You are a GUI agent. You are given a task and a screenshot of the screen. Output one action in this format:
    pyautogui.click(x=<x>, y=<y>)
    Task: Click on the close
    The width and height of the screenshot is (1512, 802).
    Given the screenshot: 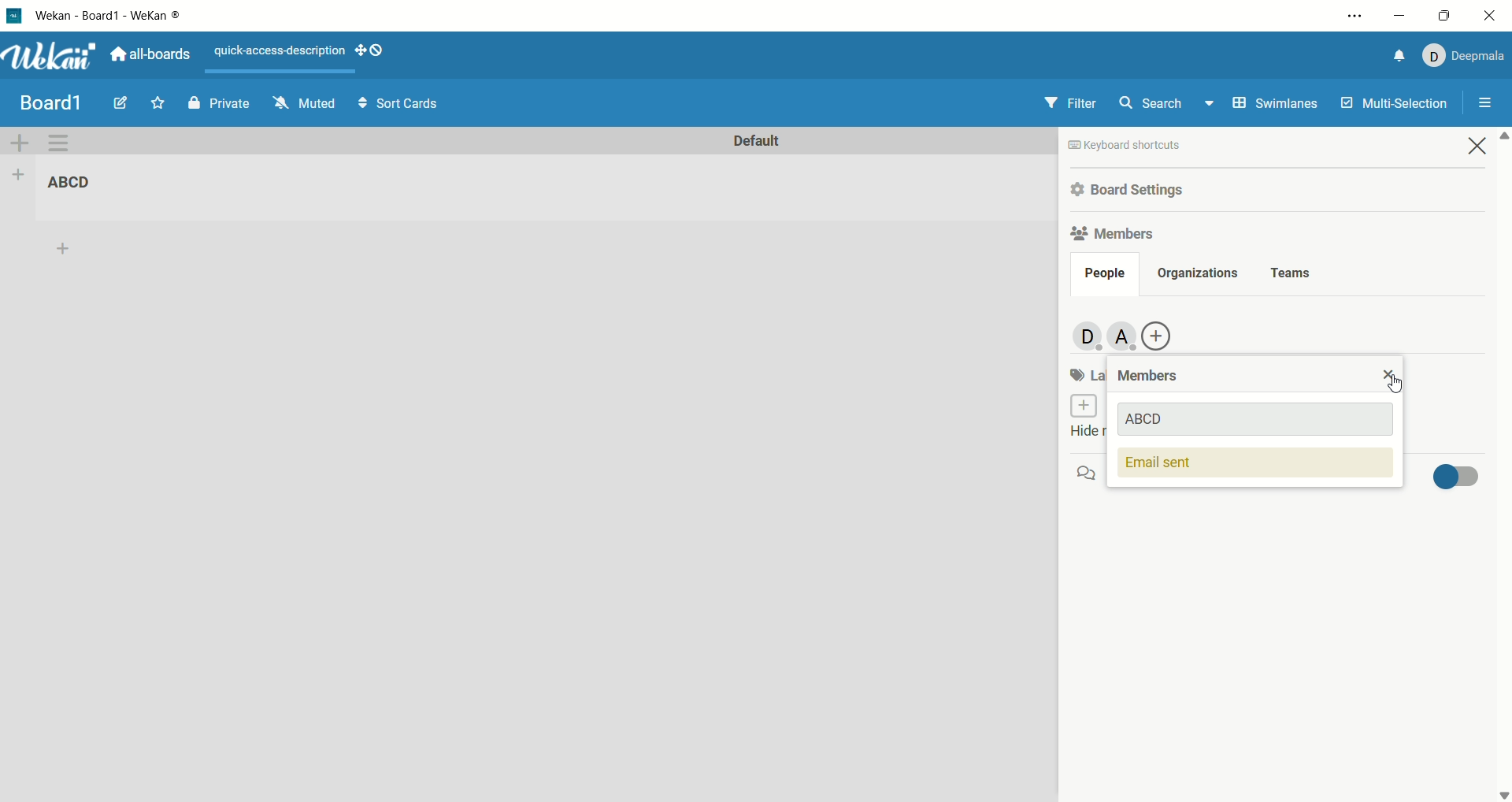 What is the action you would take?
    pyautogui.click(x=1478, y=145)
    